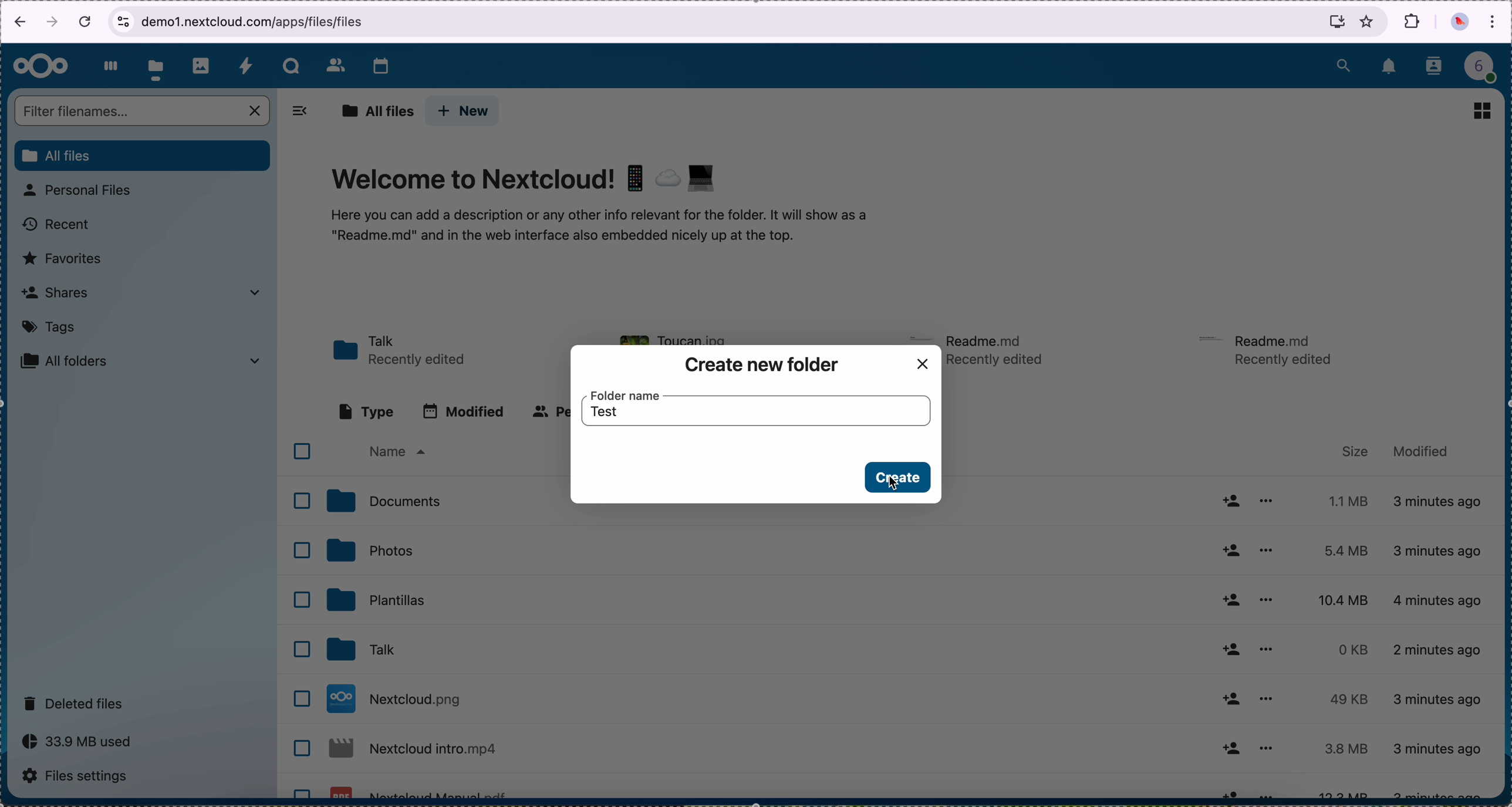 The width and height of the screenshot is (1512, 807). I want to click on click on new button, so click(463, 112).